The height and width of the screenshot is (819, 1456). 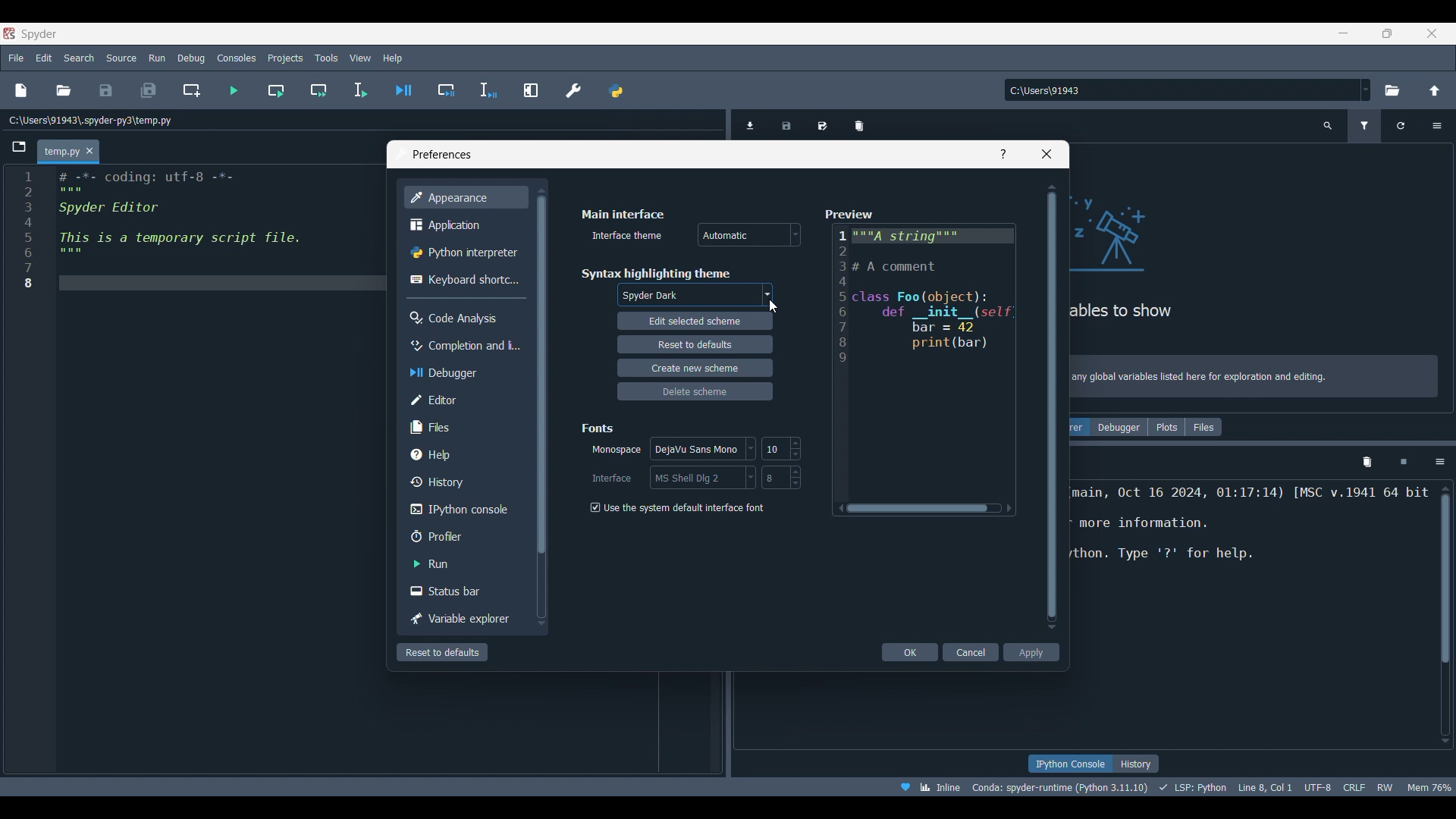 I want to click on Editor, so click(x=463, y=400).